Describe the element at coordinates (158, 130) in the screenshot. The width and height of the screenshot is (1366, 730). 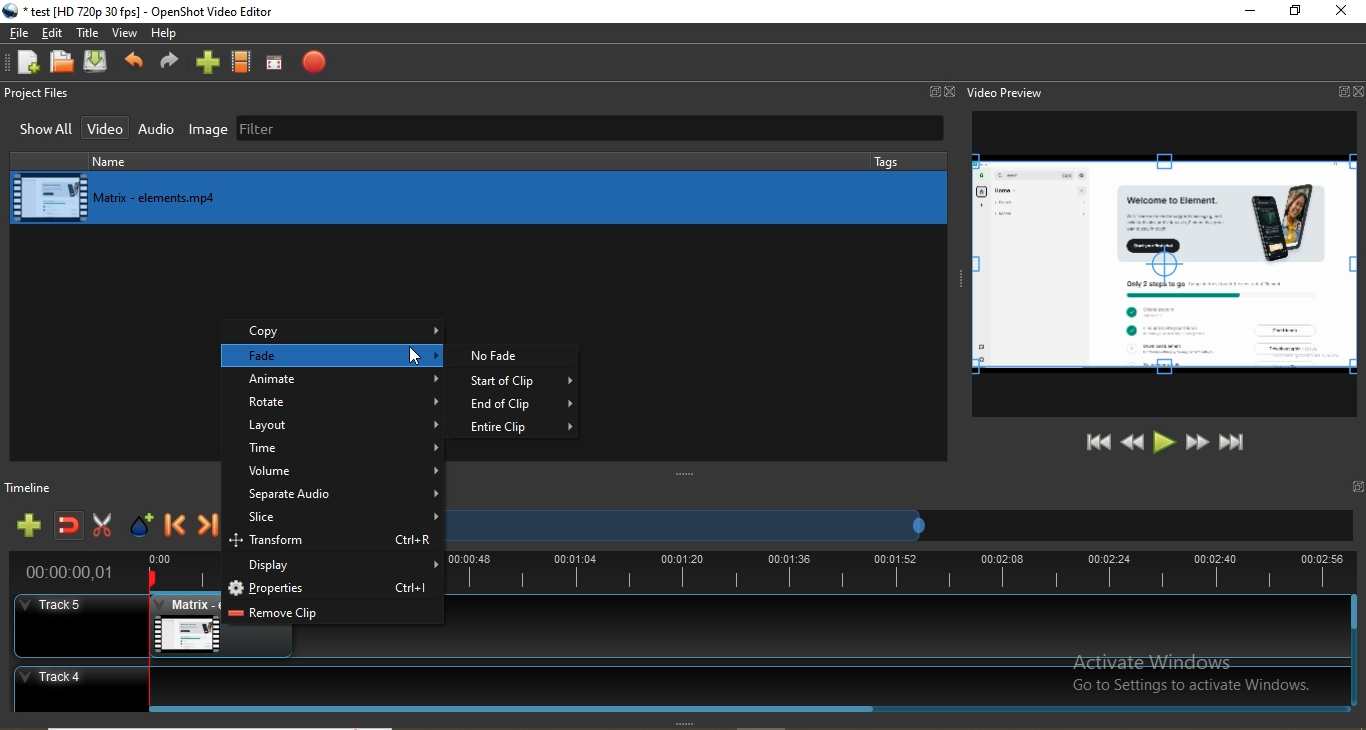
I see `Audio` at that location.